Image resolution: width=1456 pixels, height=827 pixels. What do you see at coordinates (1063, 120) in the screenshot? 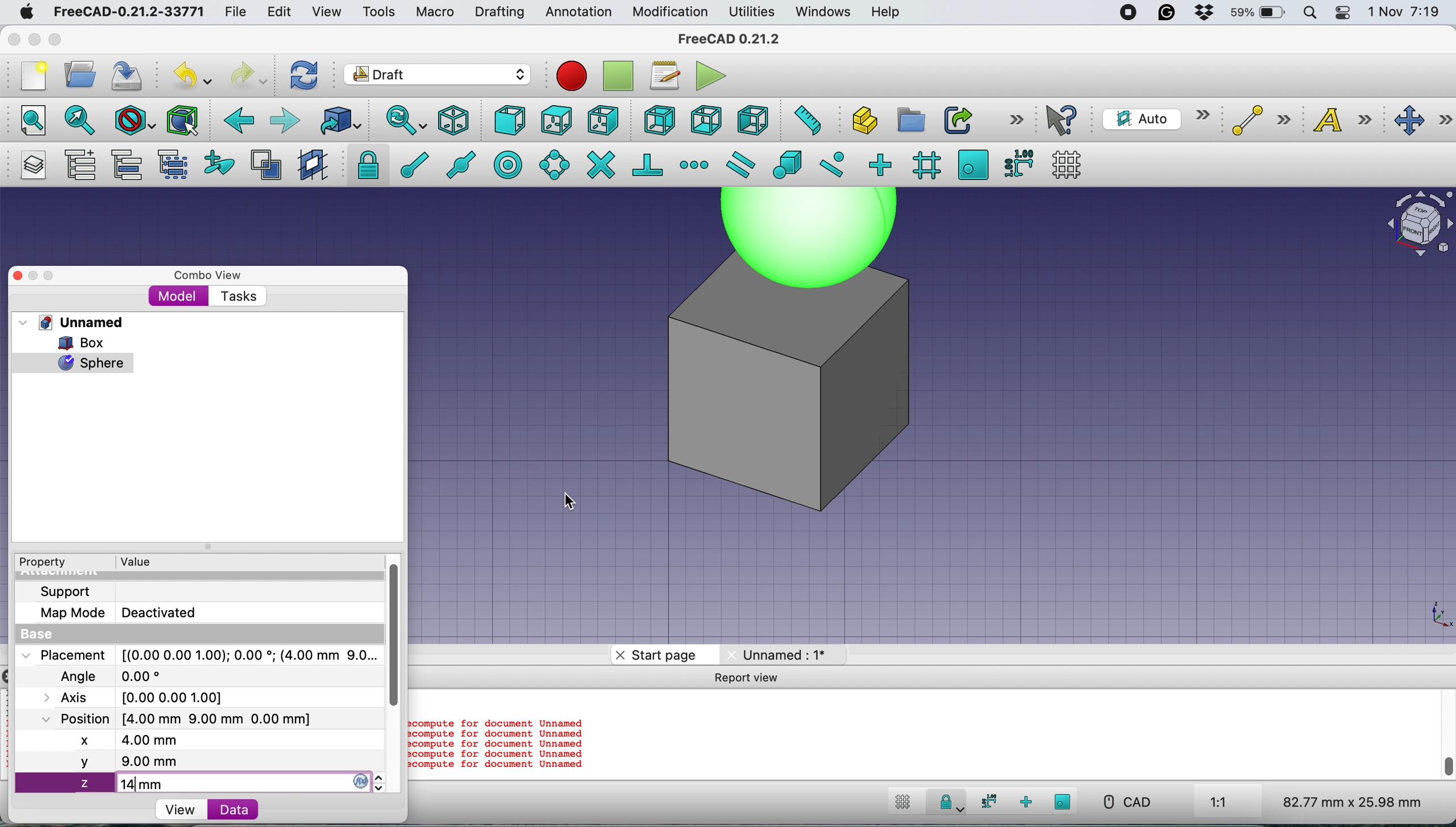
I see `what's this` at bounding box center [1063, 120].